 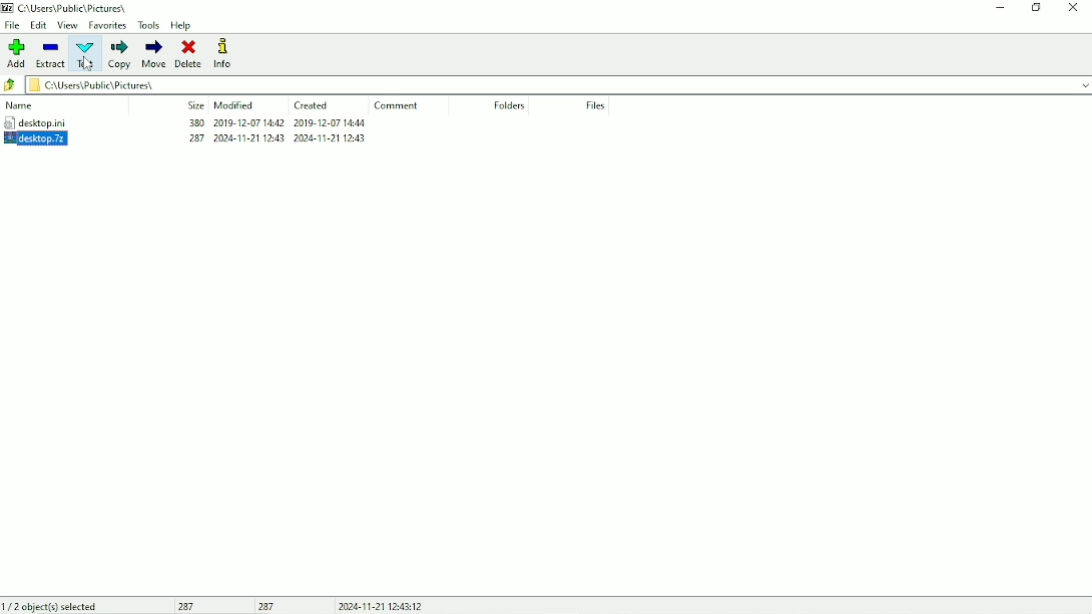 I want to click on 380, so click(x=191, y=122).